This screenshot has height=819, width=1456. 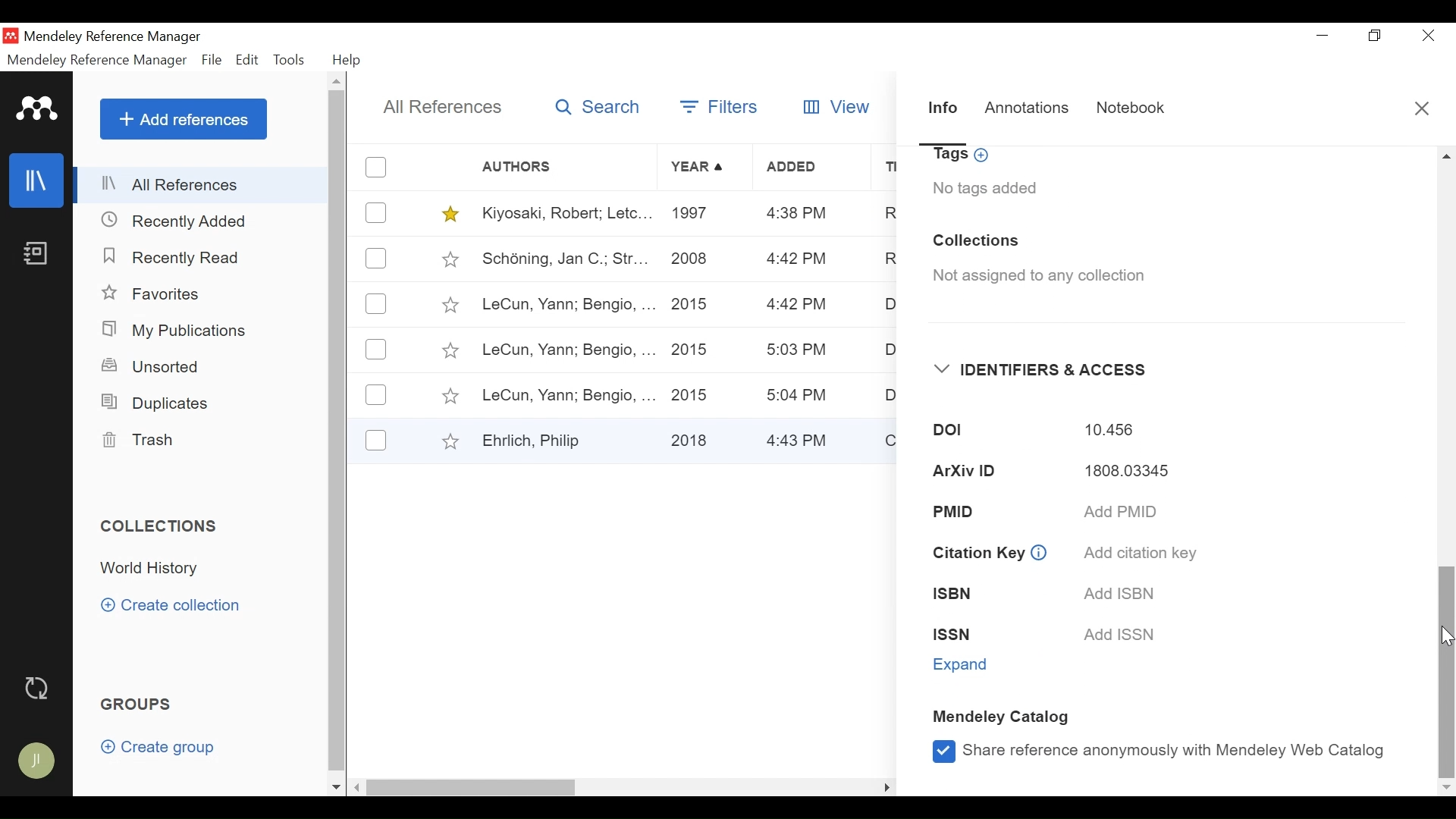 What do you see at coordinates (567, 306) in the screenshot?
I see `LeCun, Yann; Bengio, ...` at bounding box center [567, 306].